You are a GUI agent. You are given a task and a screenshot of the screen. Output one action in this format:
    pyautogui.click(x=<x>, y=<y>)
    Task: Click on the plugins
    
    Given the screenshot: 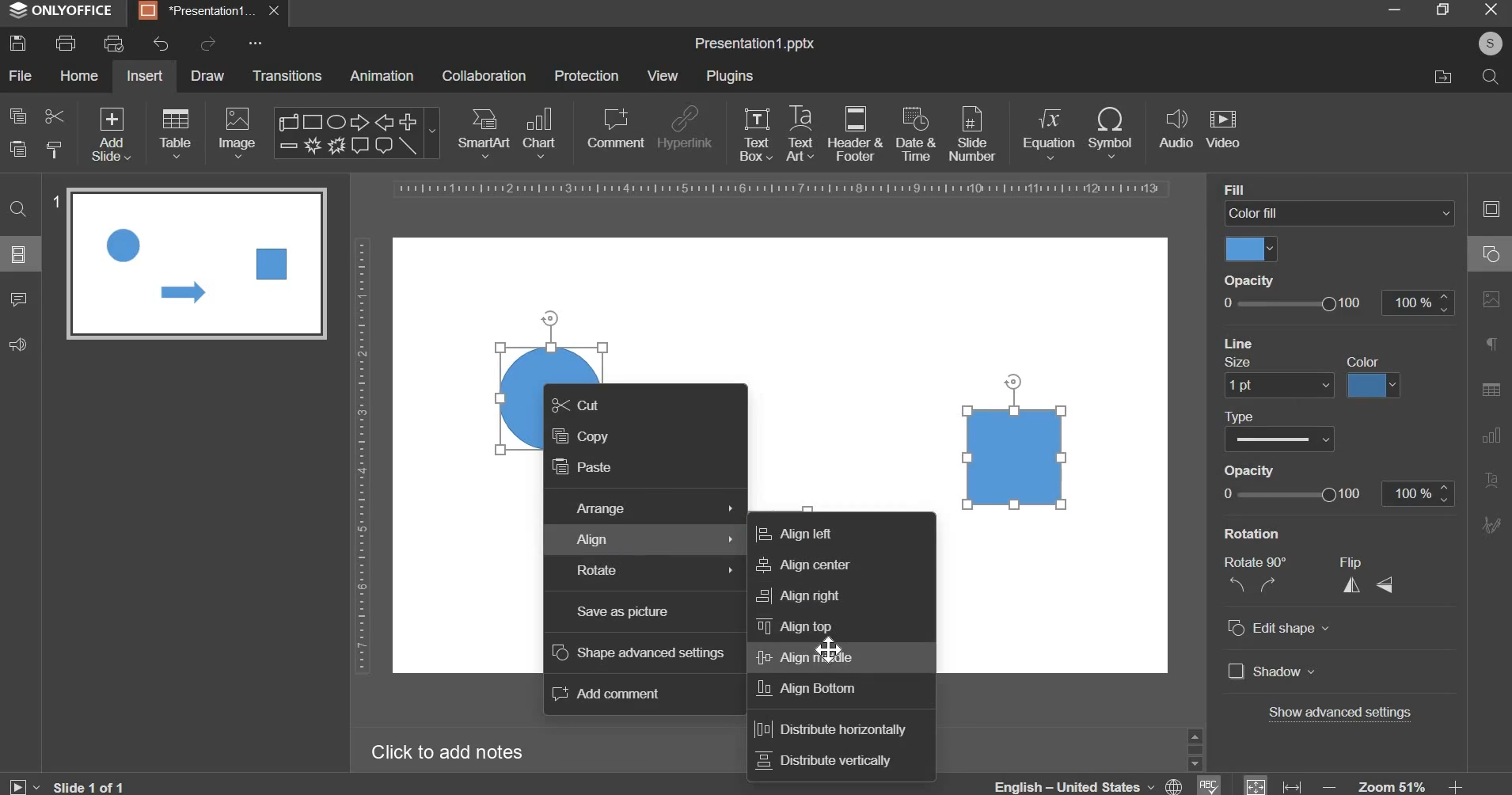 What is the action you would take?
    pyautogui.click(x=729, y=76)
    